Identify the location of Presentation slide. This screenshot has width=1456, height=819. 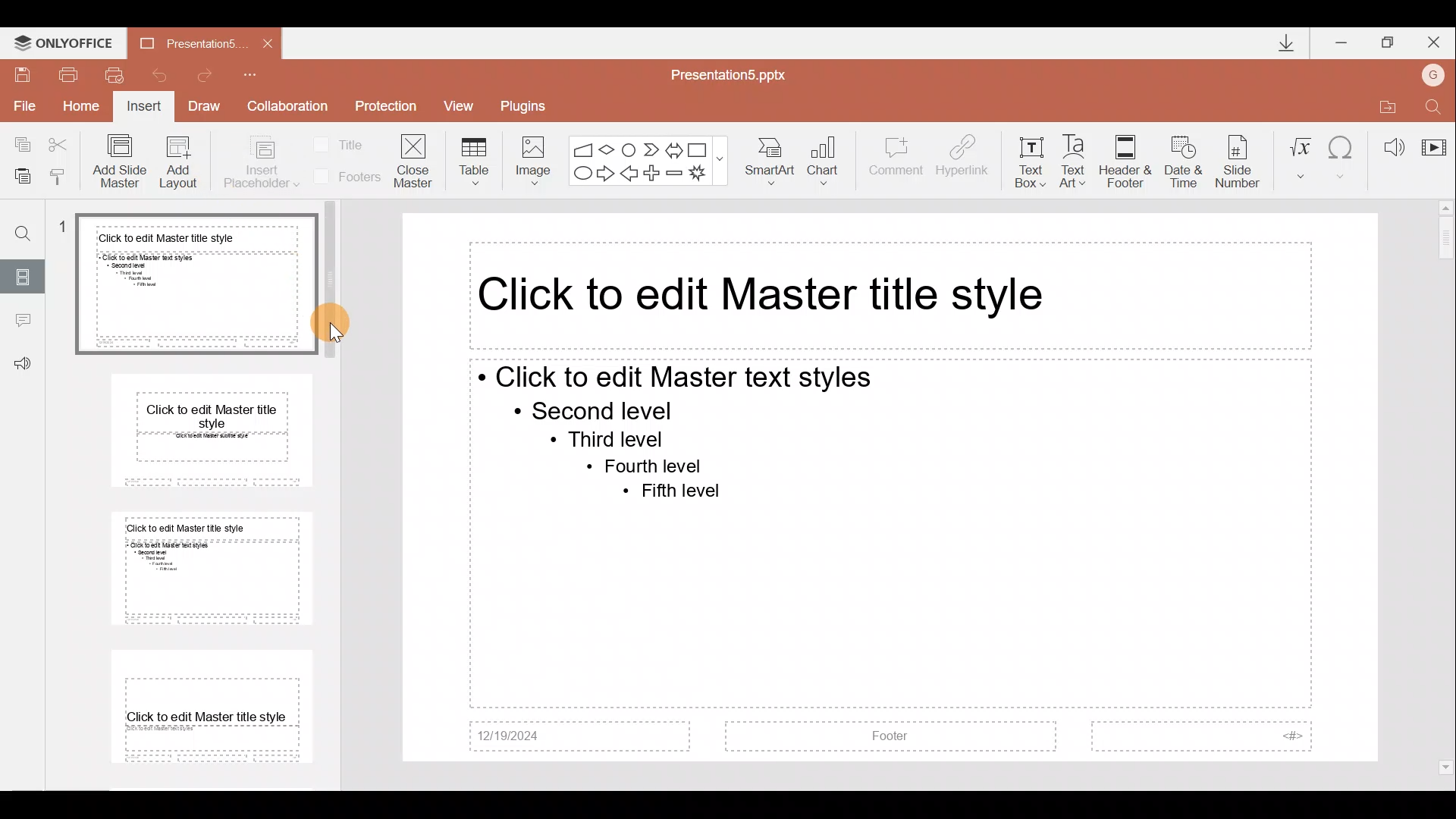
(892, 488).